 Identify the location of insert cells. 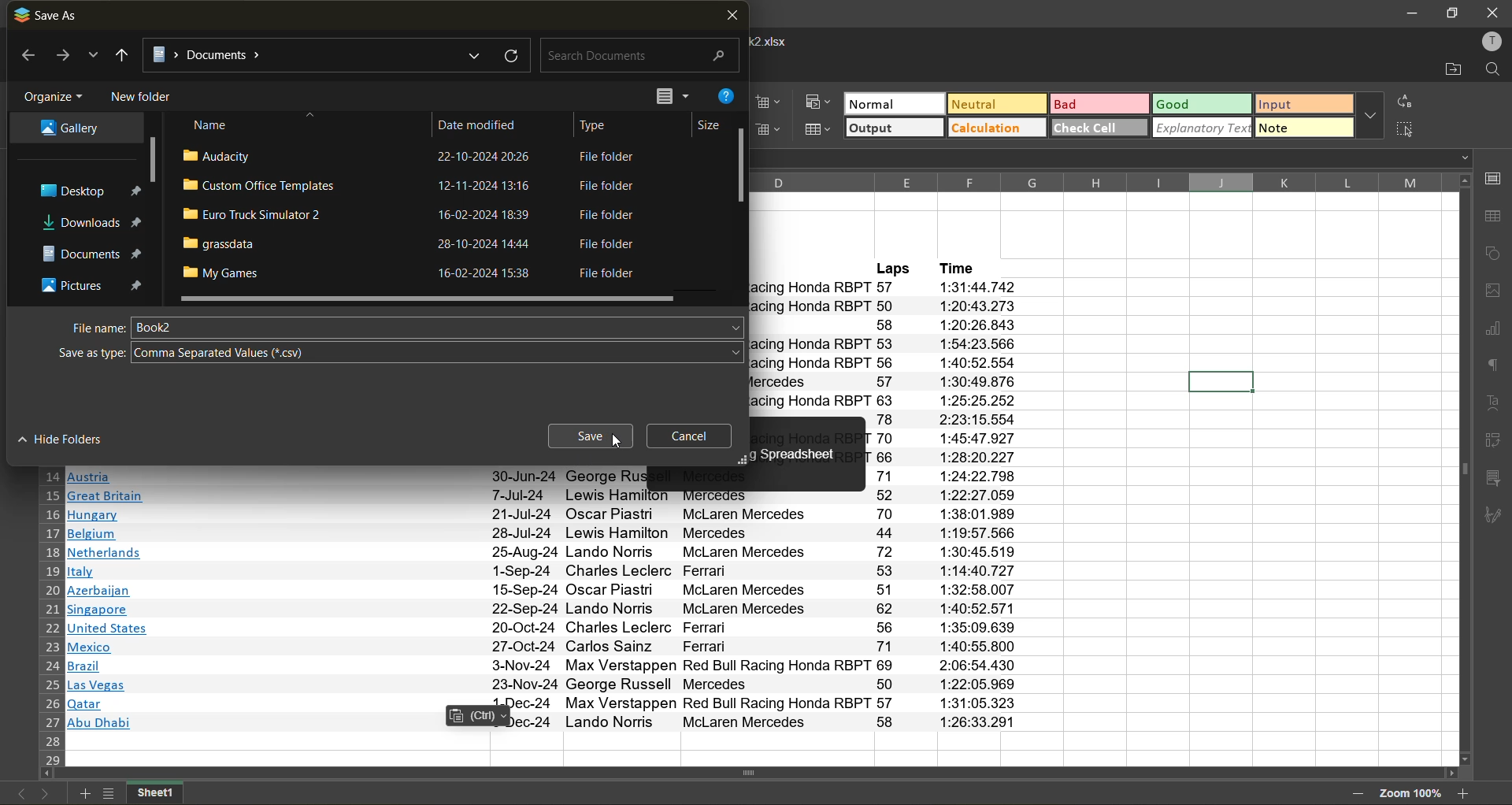
(769, 102).